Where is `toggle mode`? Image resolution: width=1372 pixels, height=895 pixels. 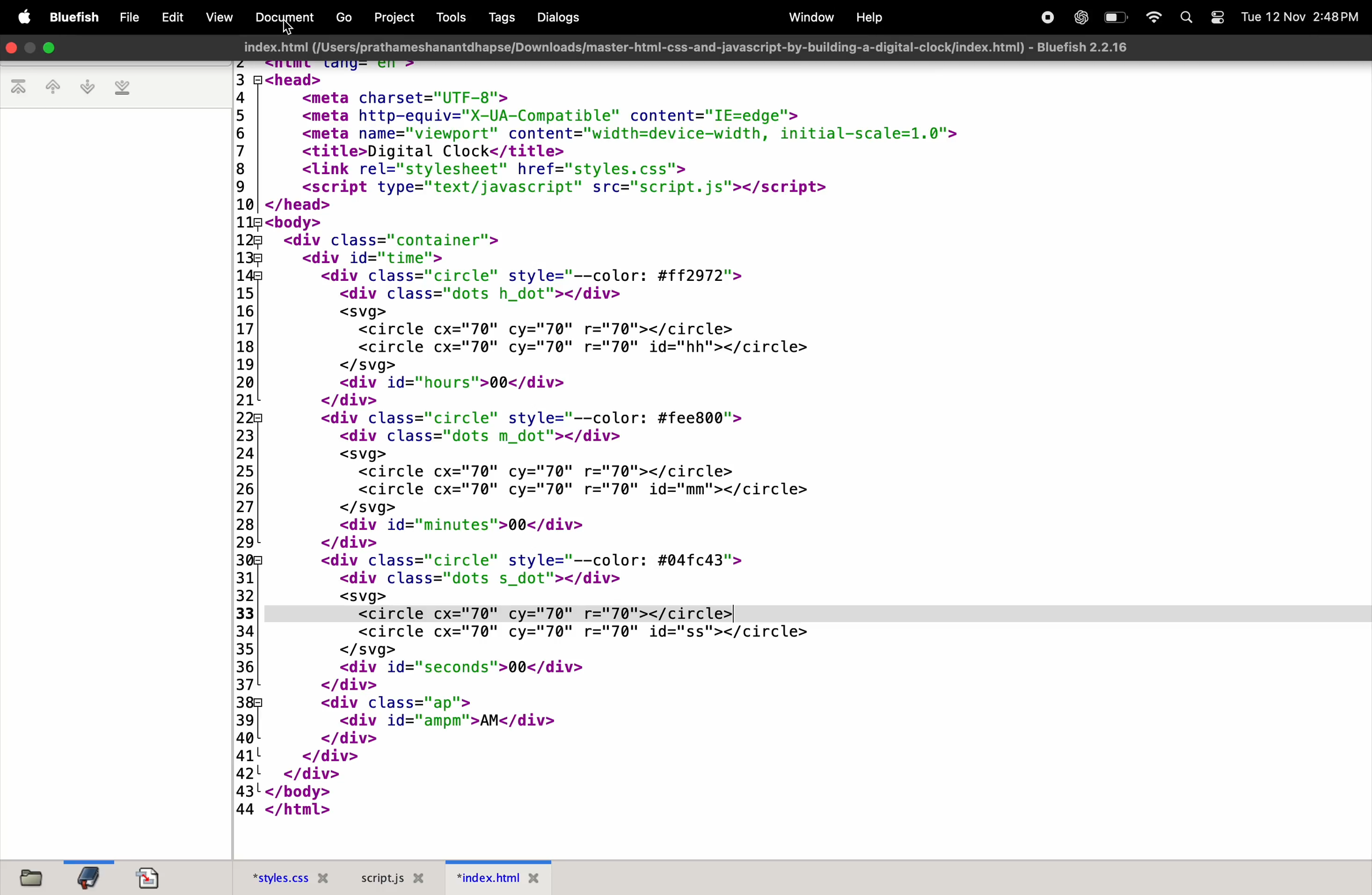
toggle mode is located at coordinates (1219, 19).